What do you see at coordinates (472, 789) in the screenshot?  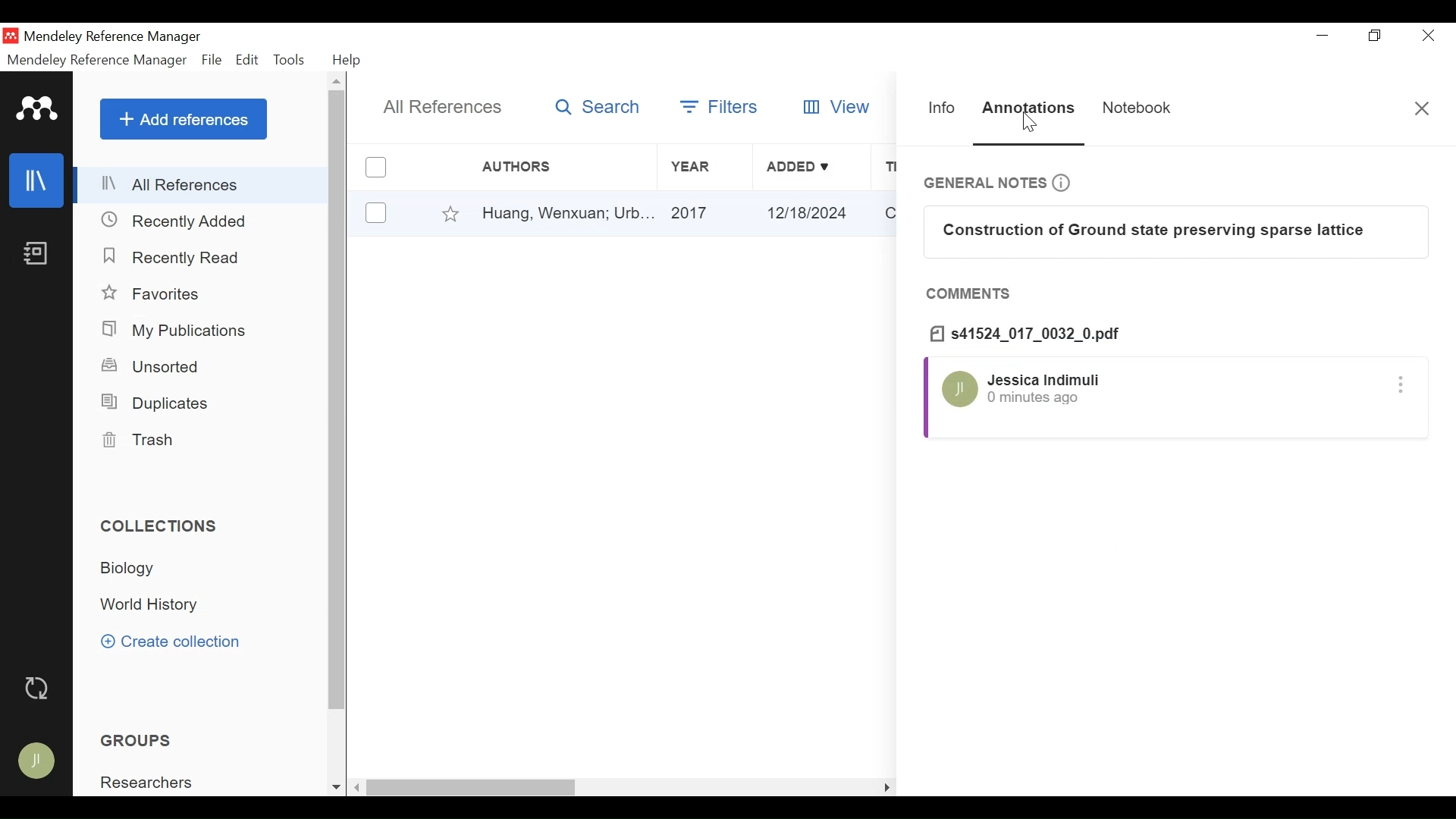 I see `Horizontal Scroll bar` at bounding box center [472, 789].